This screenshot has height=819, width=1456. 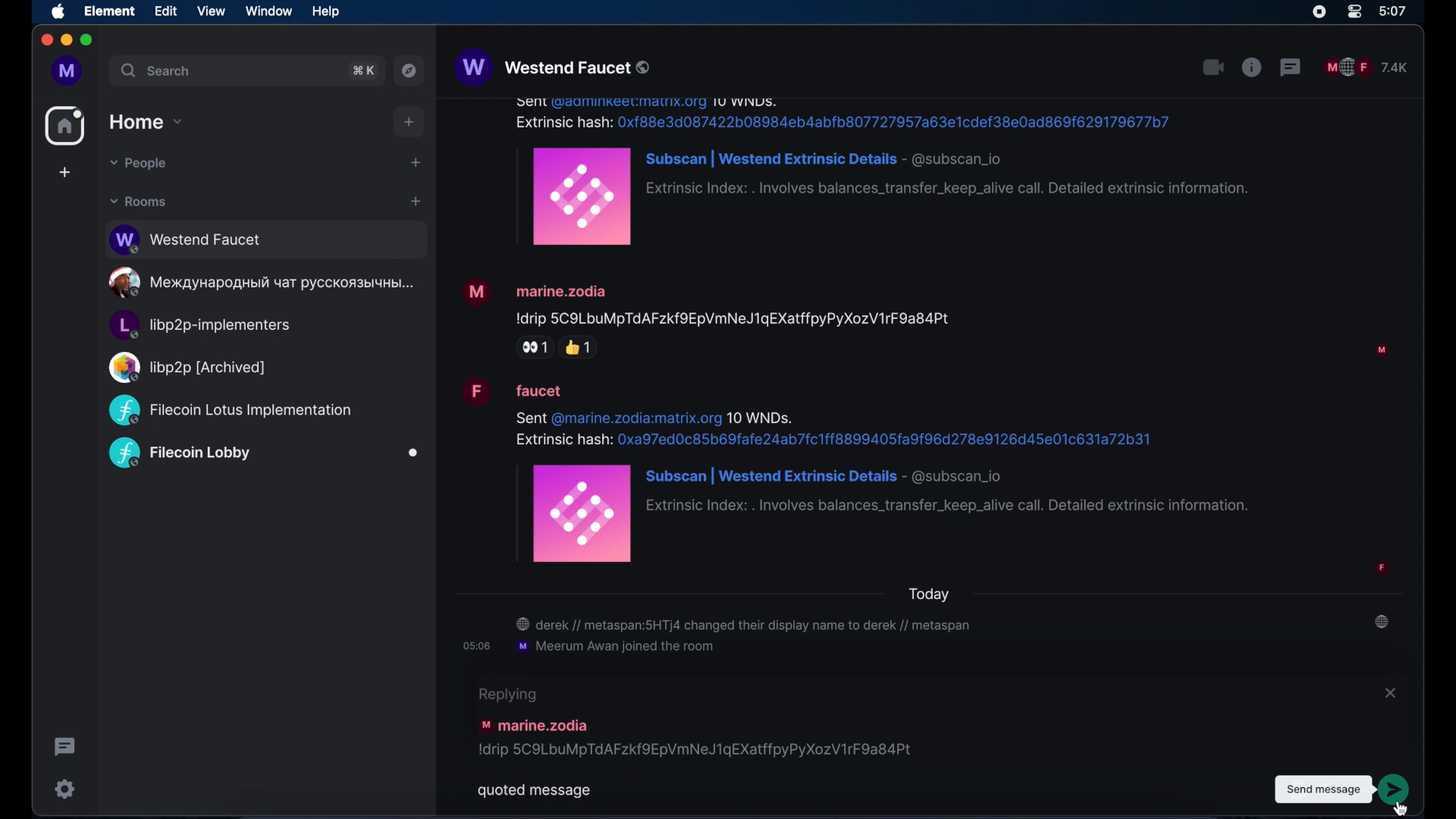 What do you see at coordinates (138, 202) in the screenshot?
I see `rooms dropdown` at bounding box center [138, 202].